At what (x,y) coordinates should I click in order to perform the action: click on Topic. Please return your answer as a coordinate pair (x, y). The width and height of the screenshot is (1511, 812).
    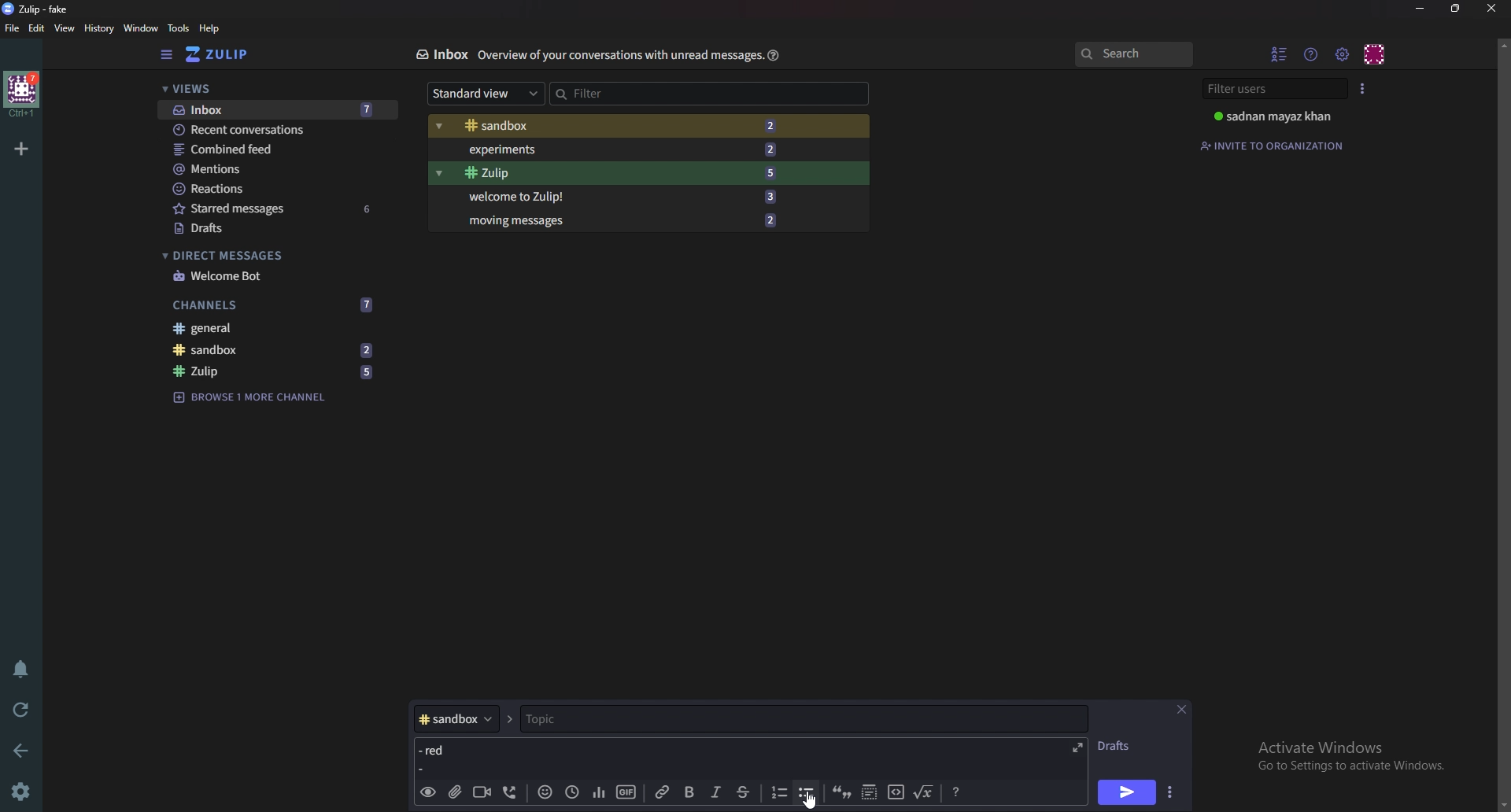
    Looking at the image, I should click on (794, 718).